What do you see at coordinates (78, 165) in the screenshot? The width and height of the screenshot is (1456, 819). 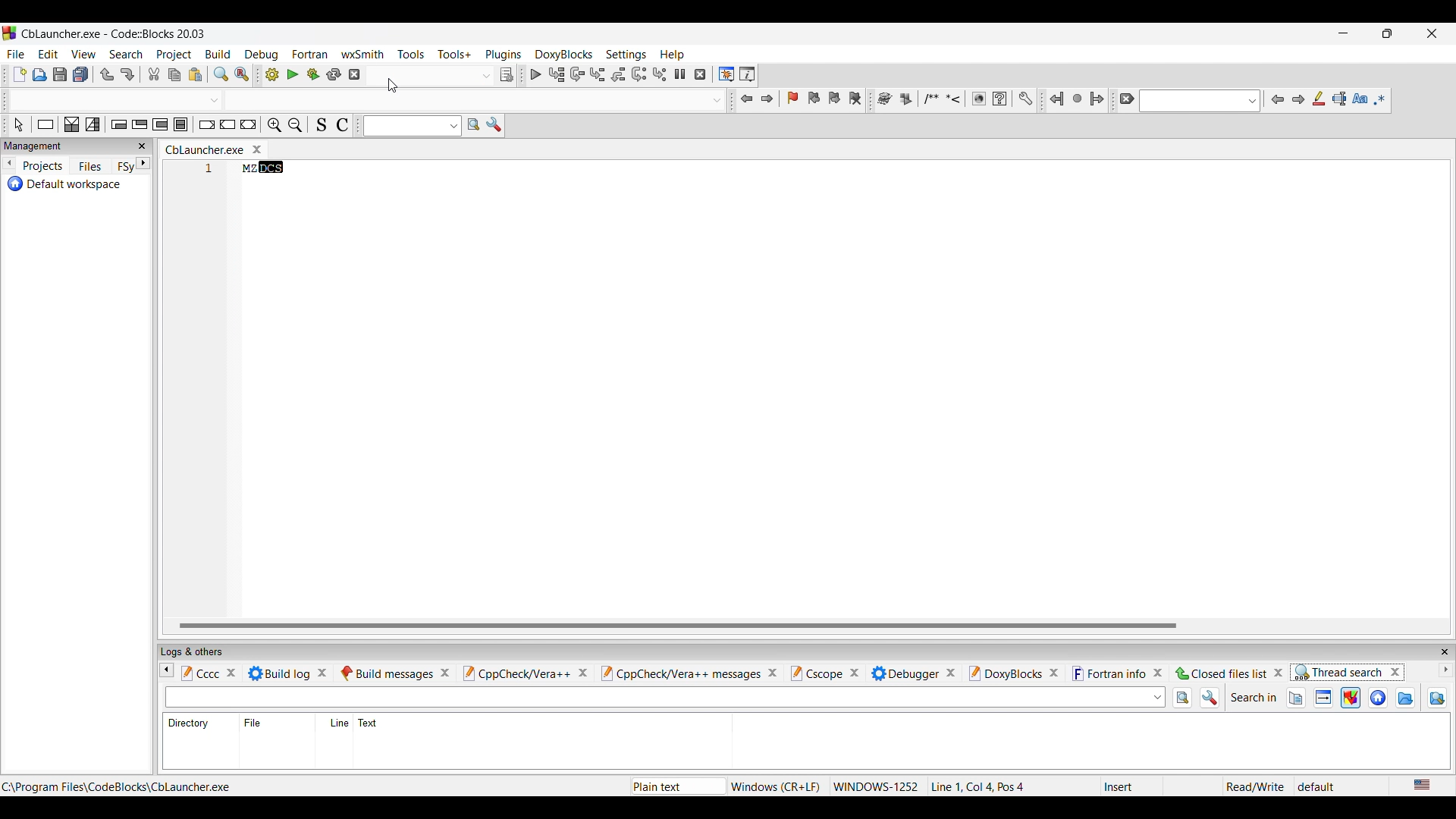 I see `Panel divisions` at bounding box center [78, 165].